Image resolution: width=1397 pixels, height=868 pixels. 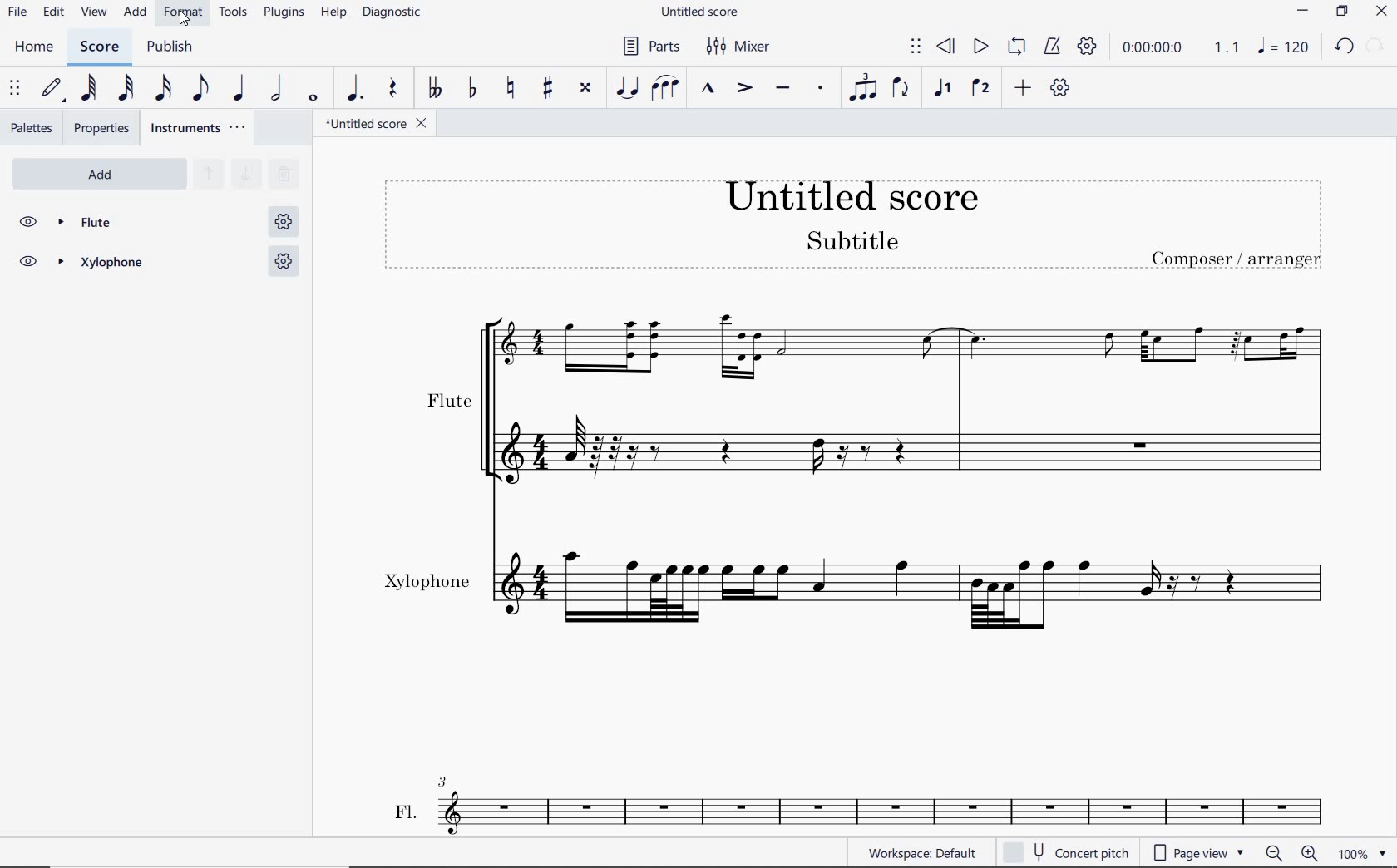 I want to click on ADD, so click(x=96, y=172).